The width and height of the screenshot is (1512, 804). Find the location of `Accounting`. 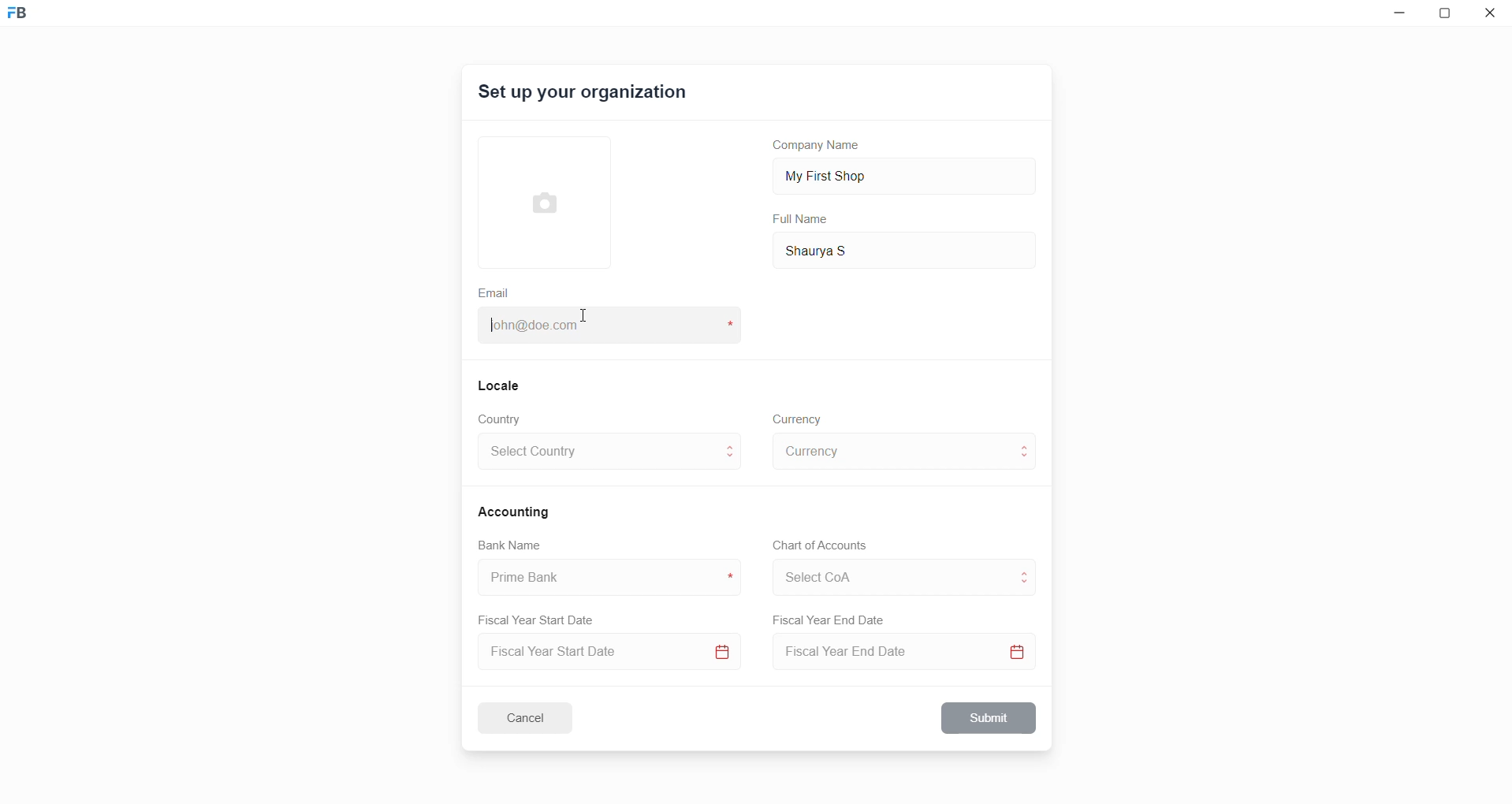

Accounting is located at coordinates (516, 511).